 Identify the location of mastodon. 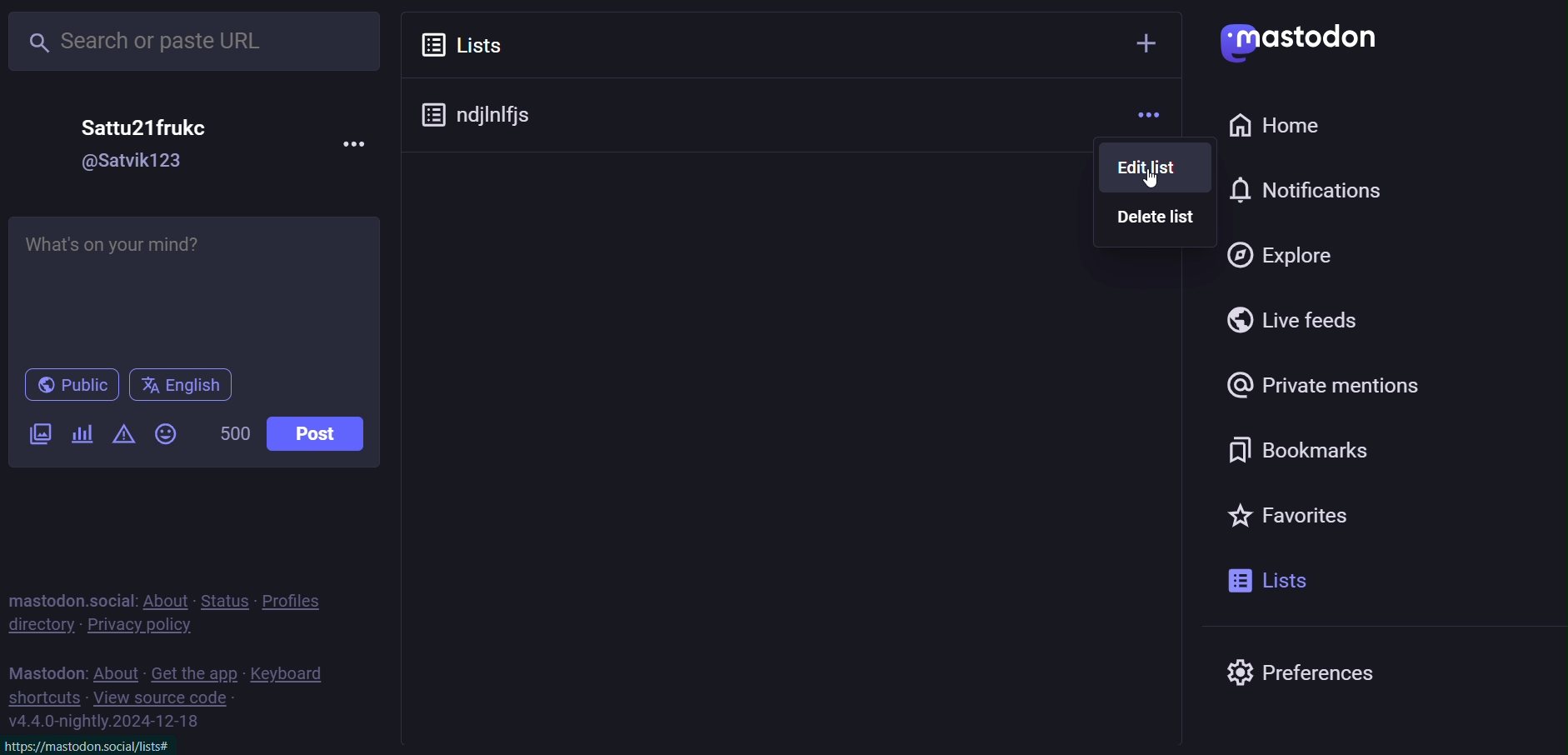
(43, 671).